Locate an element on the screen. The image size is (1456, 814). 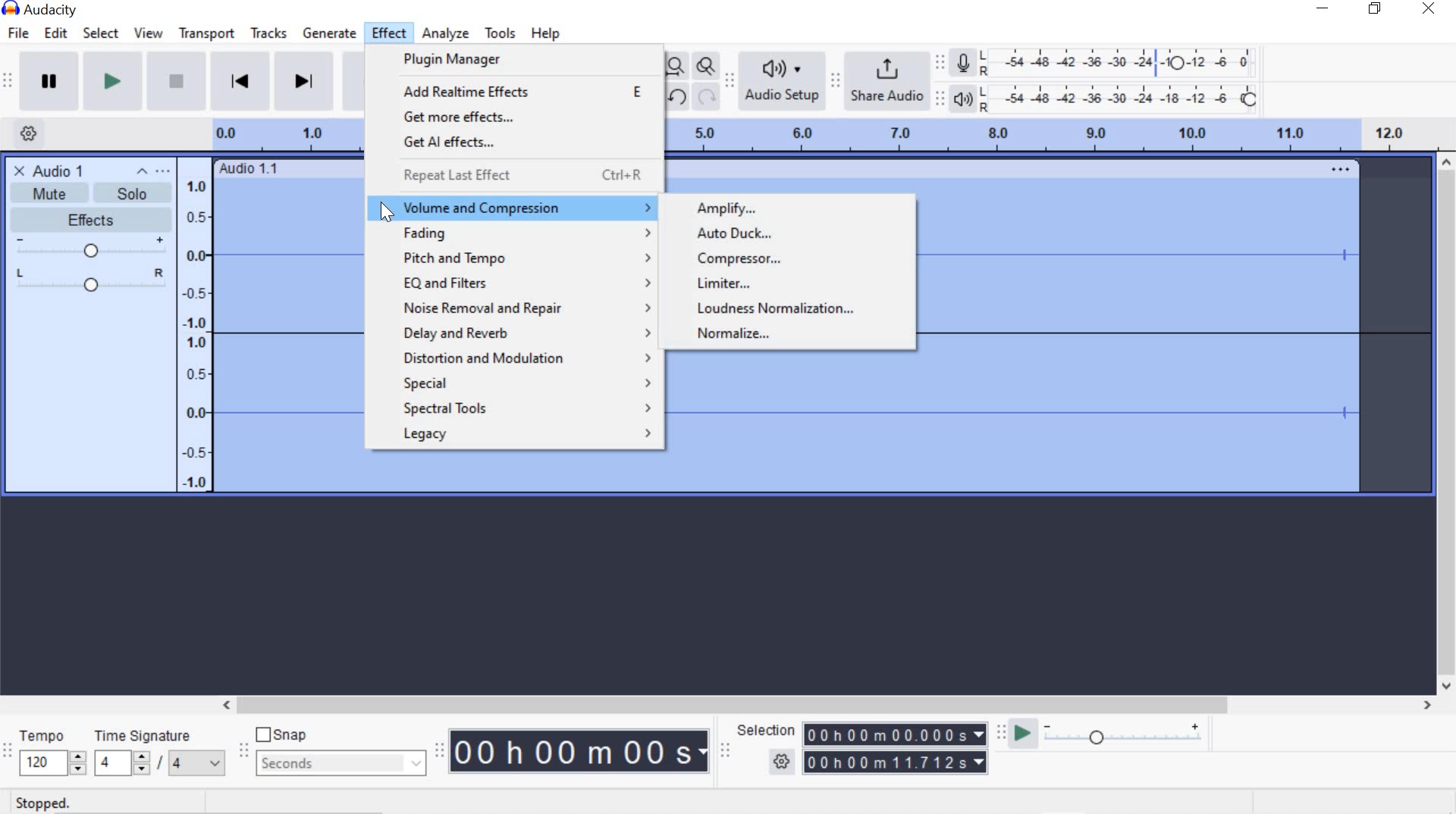
file is located at coordinates (21, 33).